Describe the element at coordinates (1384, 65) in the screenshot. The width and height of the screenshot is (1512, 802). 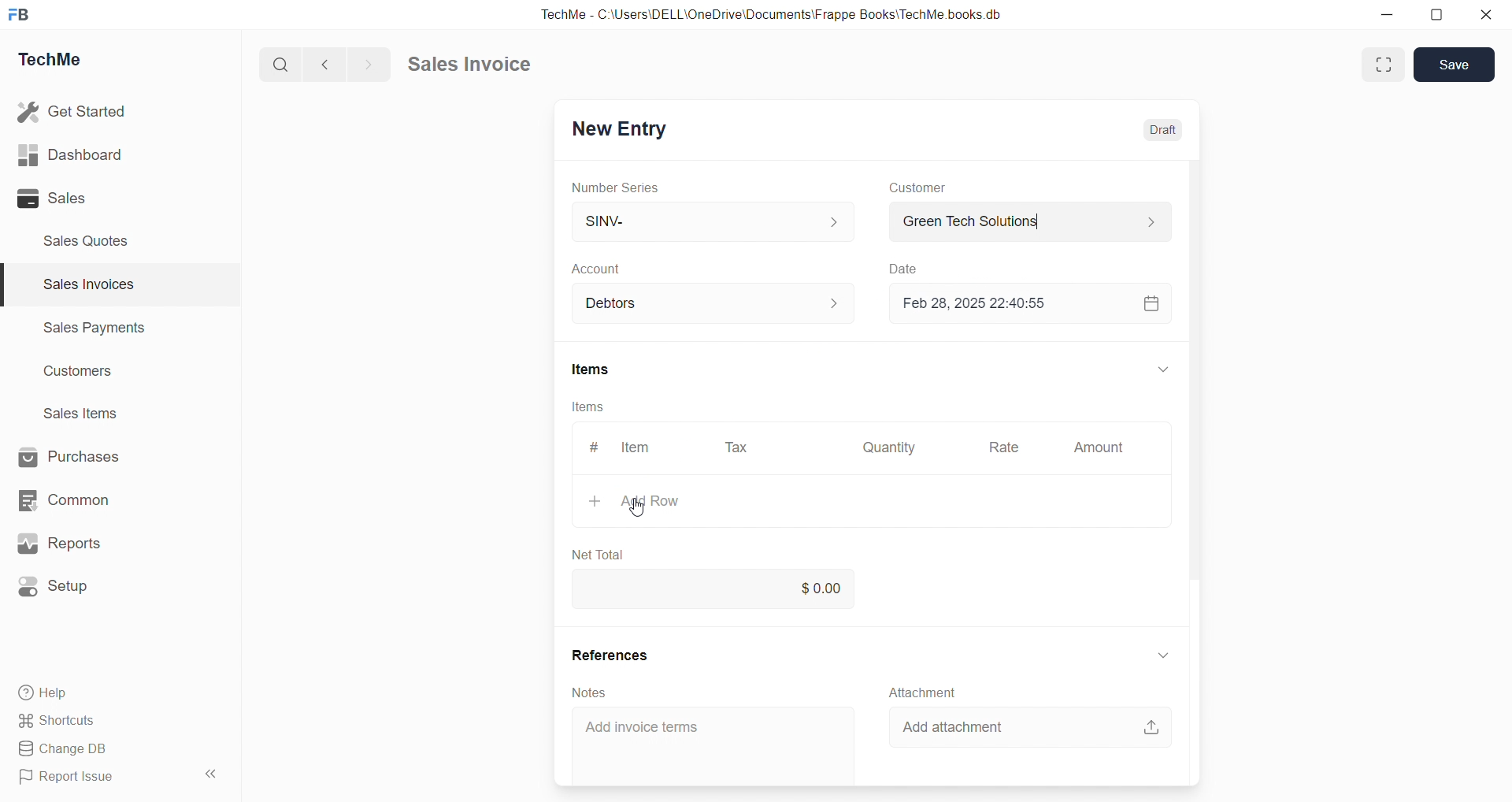
I see `enlarge` at that location.